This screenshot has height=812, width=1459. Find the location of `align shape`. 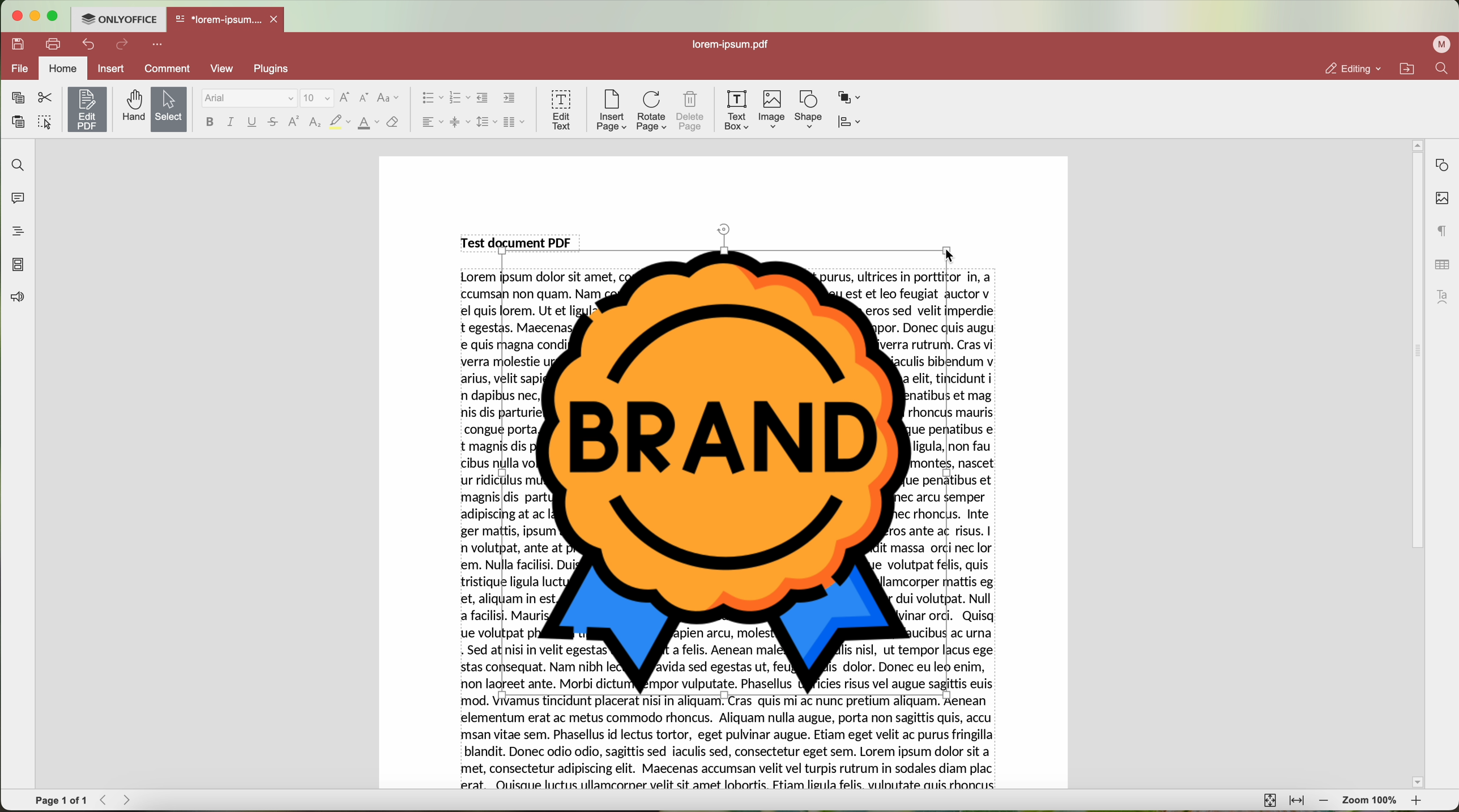

align shape is located at coordinates (852, 123).